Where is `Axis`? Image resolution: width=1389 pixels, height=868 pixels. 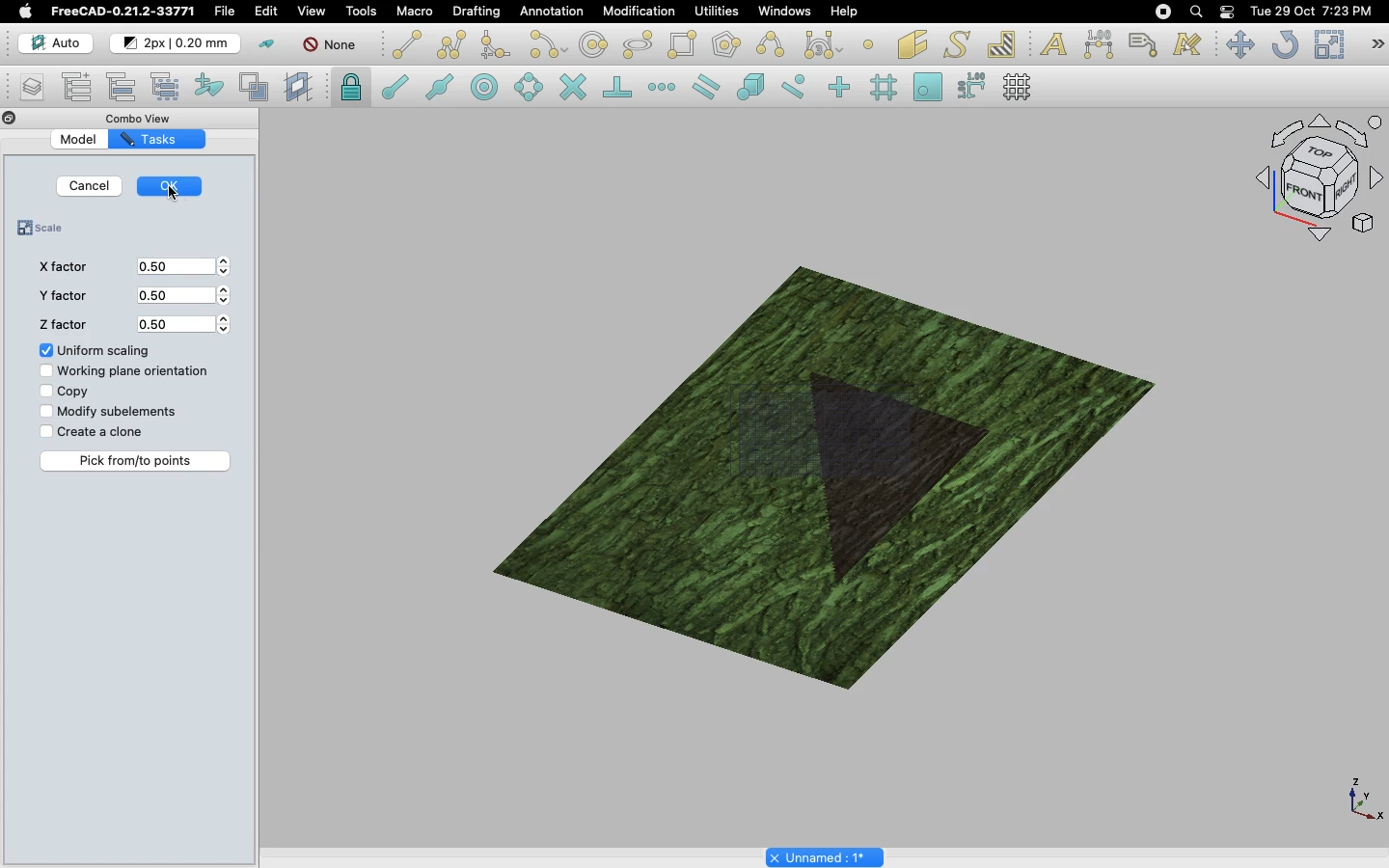 Axis is located at coordinates (1362, 799).